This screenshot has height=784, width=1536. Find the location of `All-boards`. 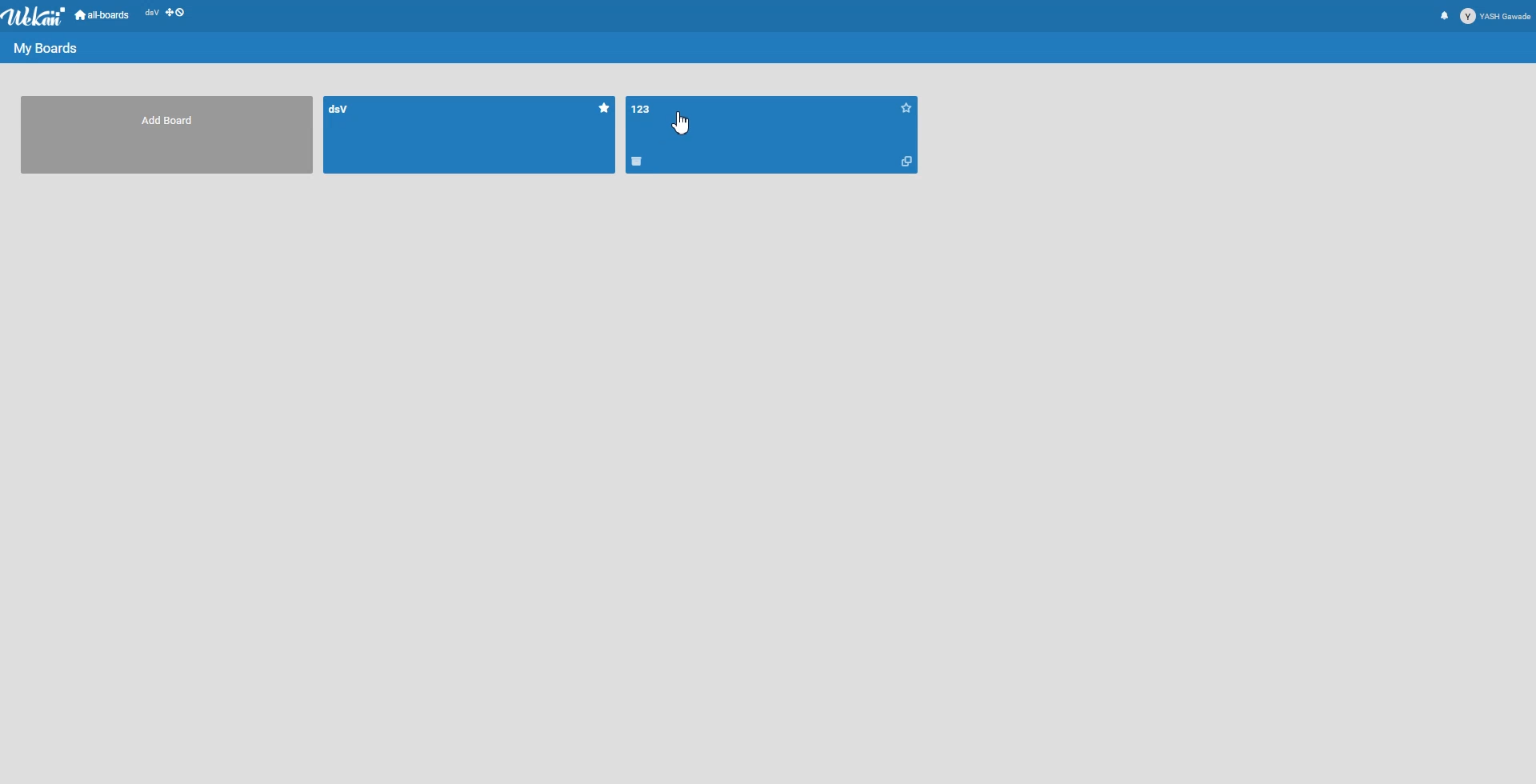

All-boards is located at coordinates (103, 14).